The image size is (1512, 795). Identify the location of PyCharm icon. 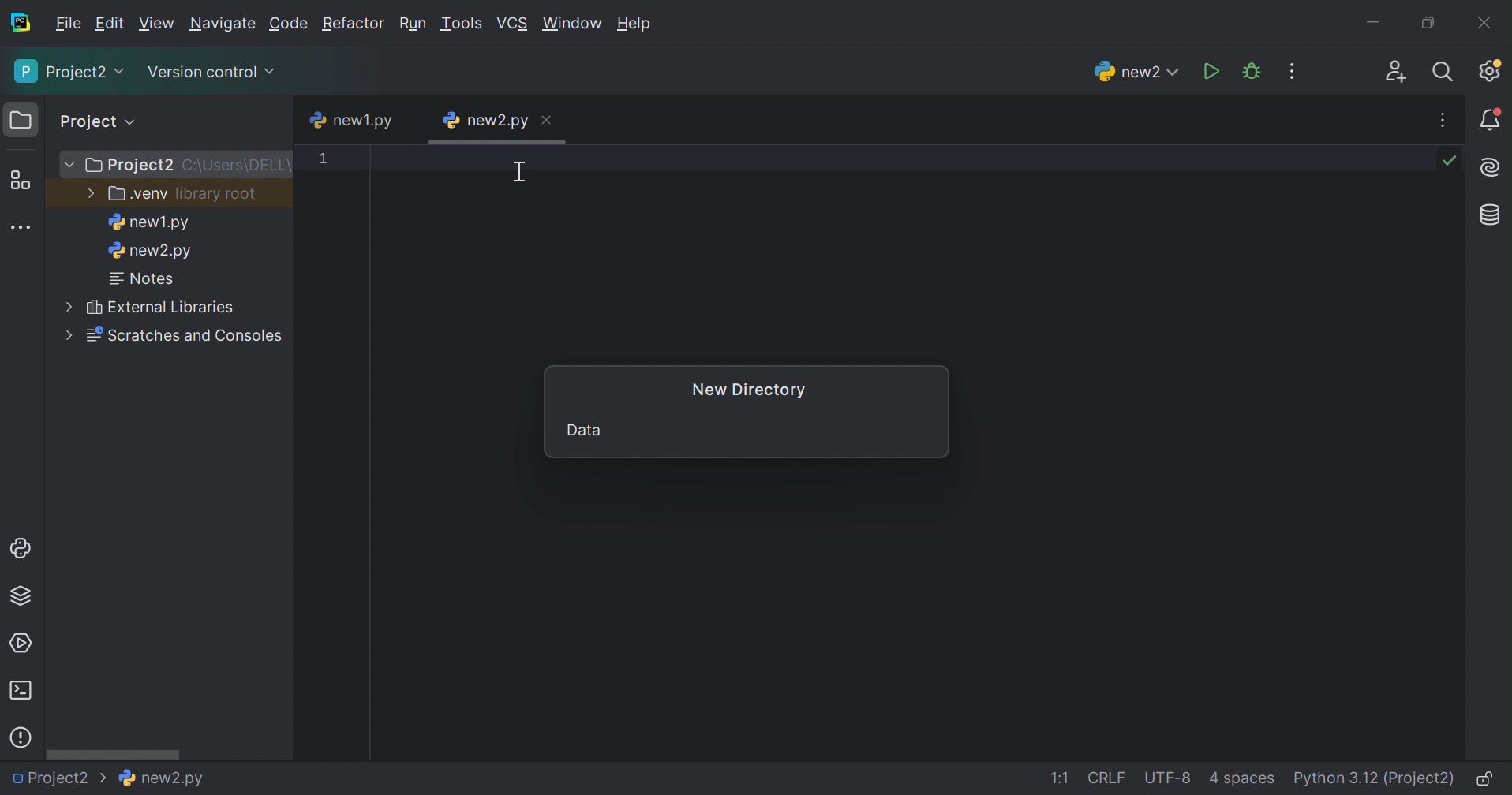
(20, 22).